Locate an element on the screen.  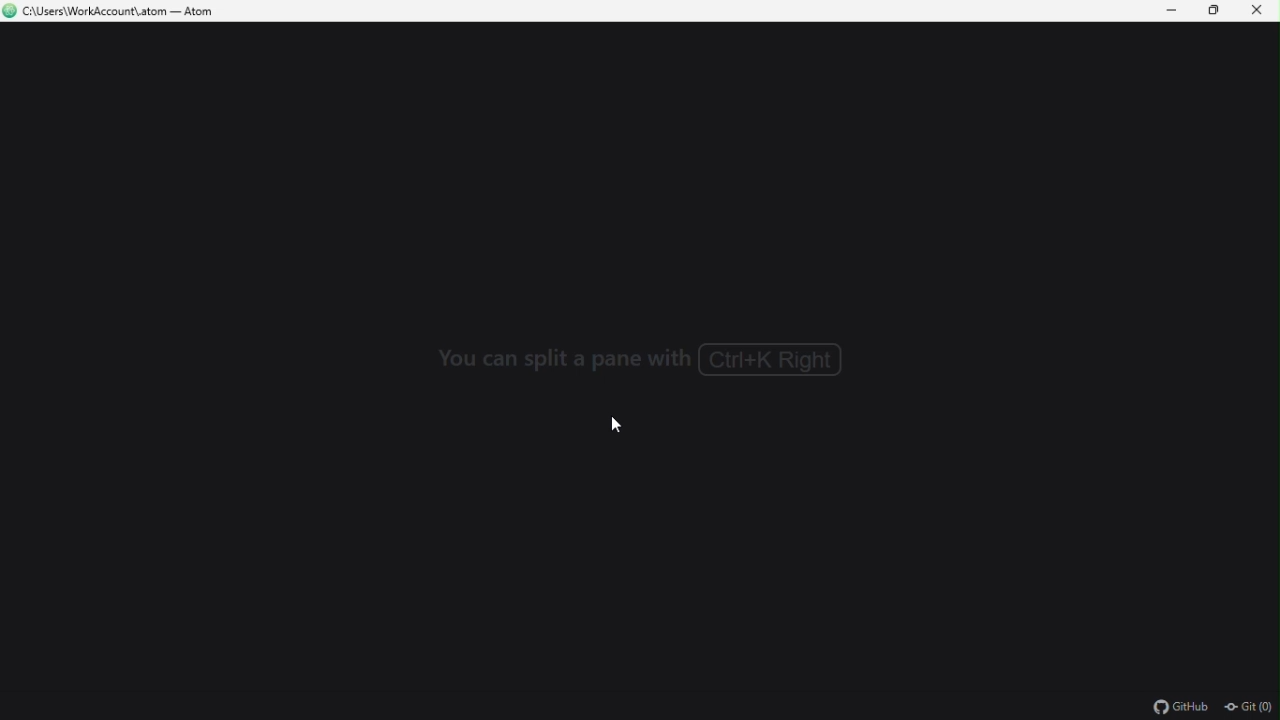
Close is located at coordinates (1259, 11).